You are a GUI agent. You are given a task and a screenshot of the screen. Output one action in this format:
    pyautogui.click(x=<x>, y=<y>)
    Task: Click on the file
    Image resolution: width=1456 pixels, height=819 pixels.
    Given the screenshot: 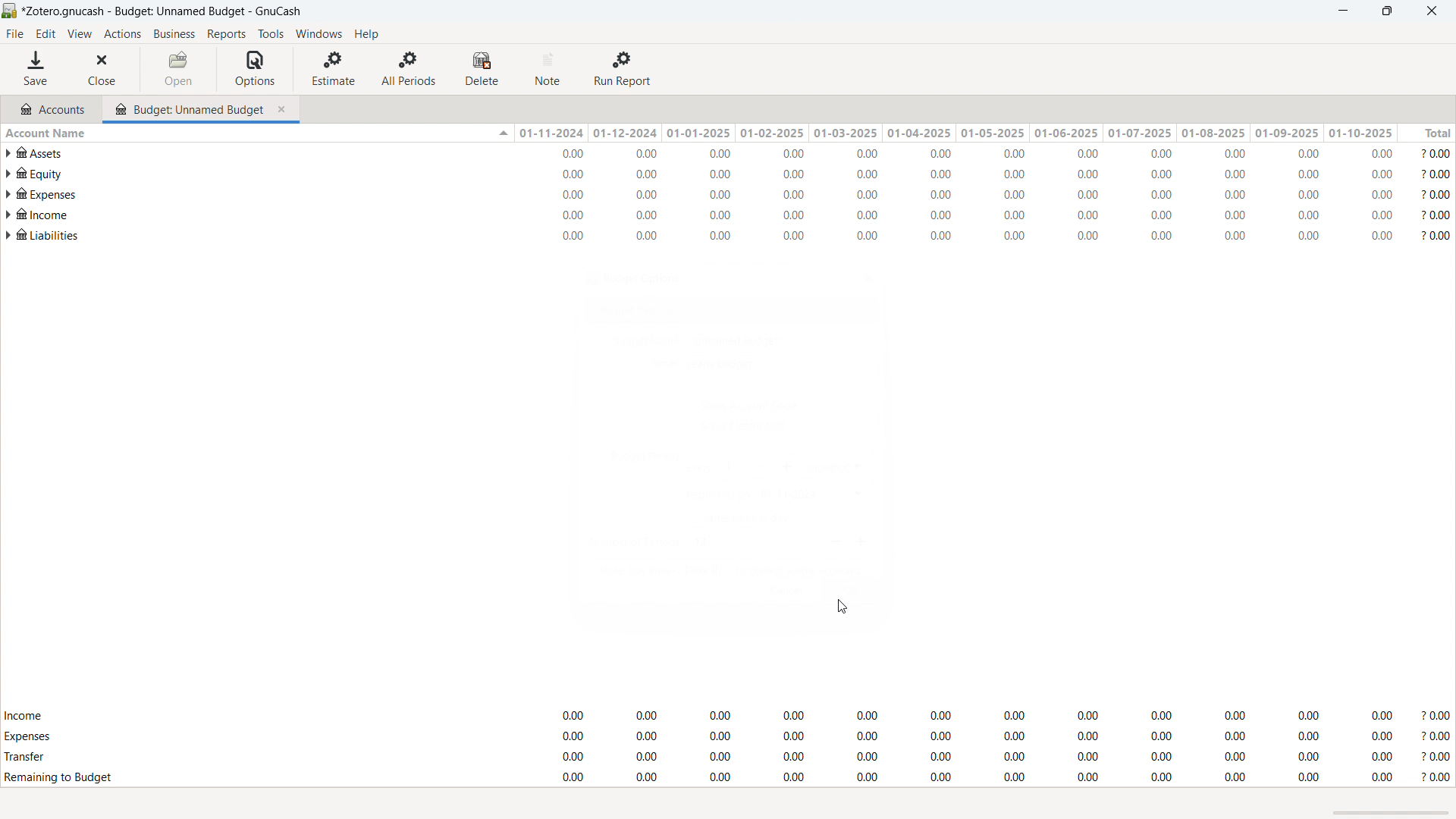 What is the action you would take?
    pyautogui.click(x=14, y=34)
    